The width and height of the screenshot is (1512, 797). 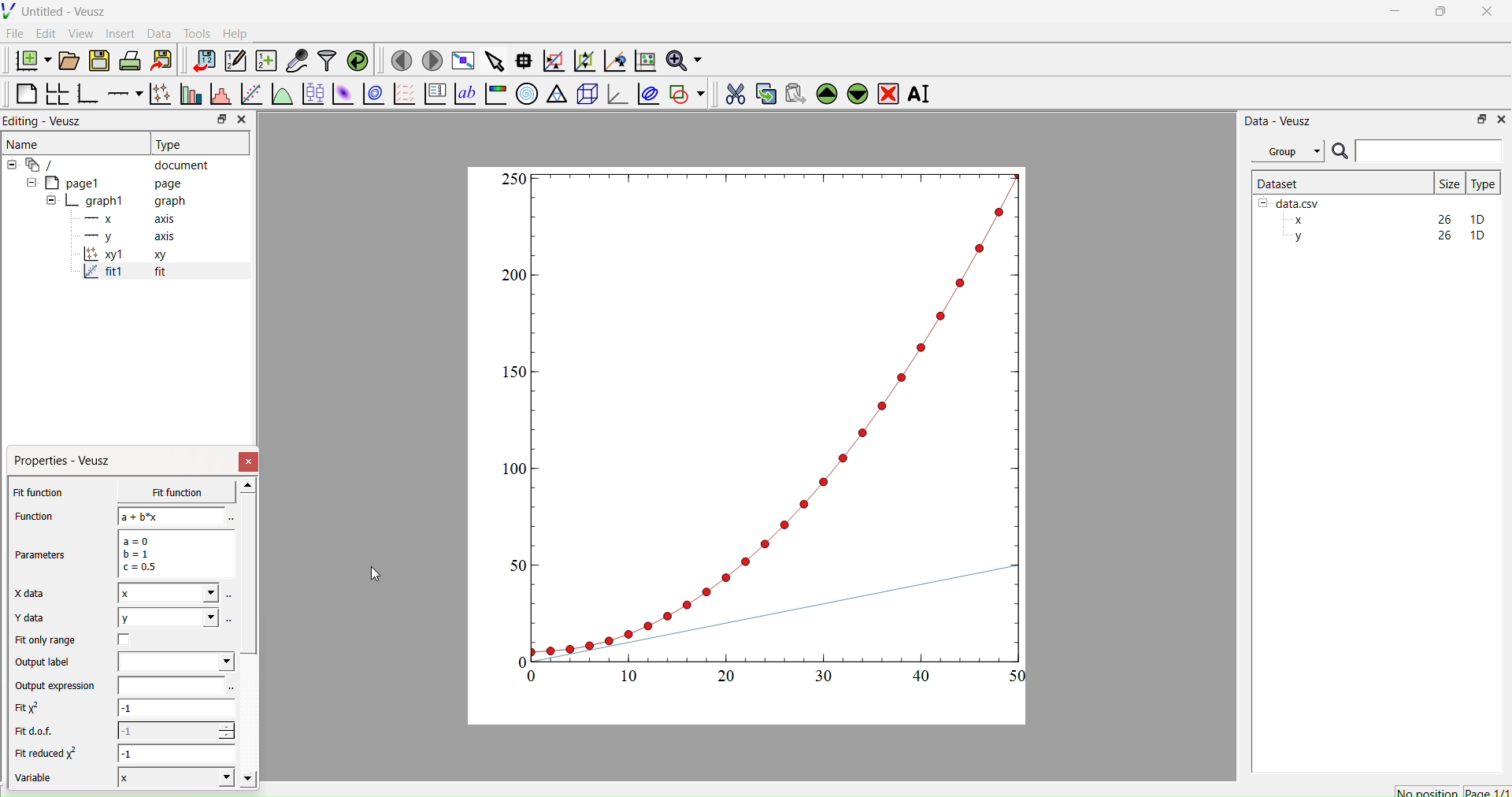 What do you see at coordinates (1385, 235) in the screenshot?
I see `y 26 1D` at bounding box center [1385, 235].